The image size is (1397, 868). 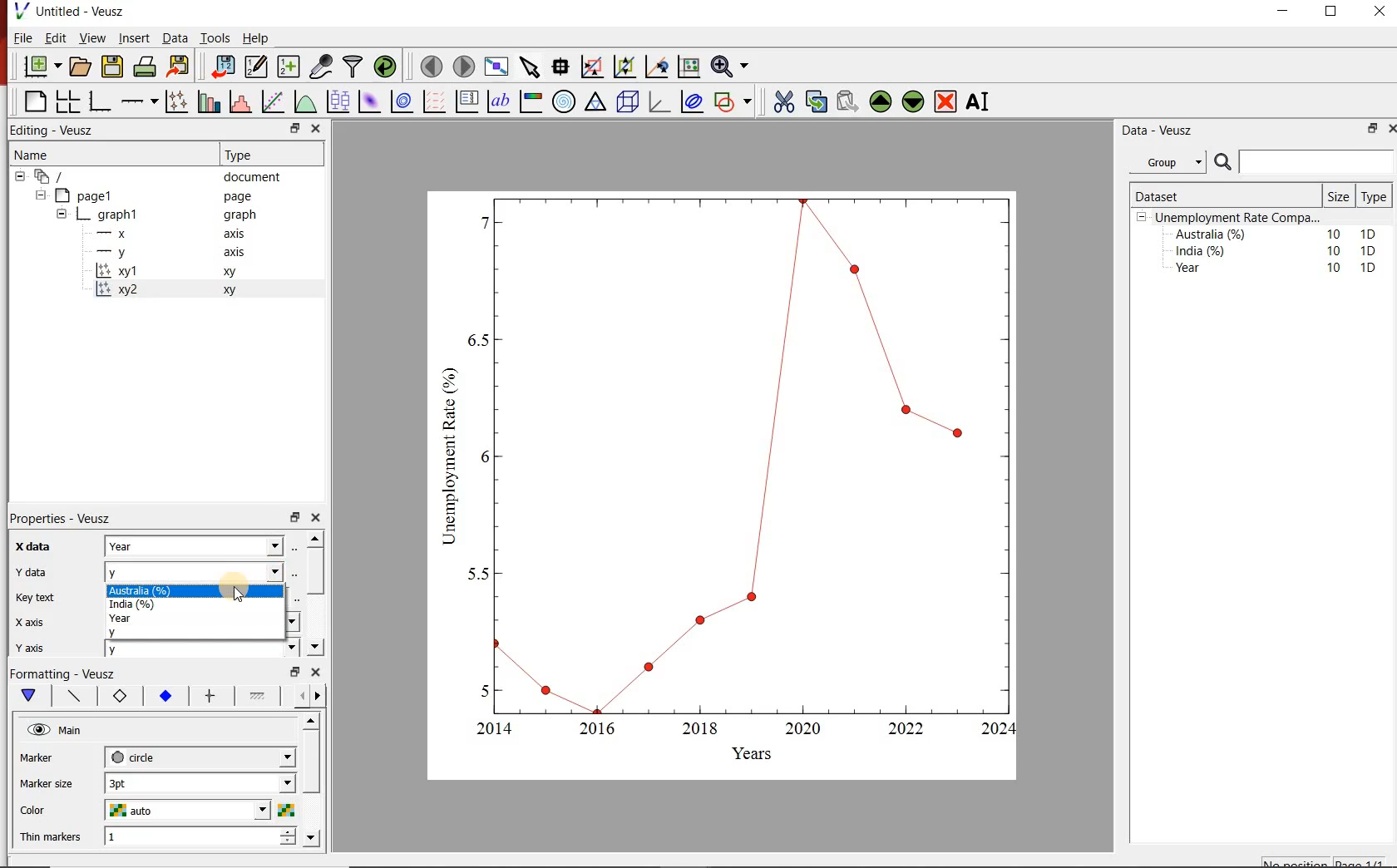 What do you see at coordinates (659, 101) in the screenshot?
I see `3d graphs` at bounding box center [659, 101].